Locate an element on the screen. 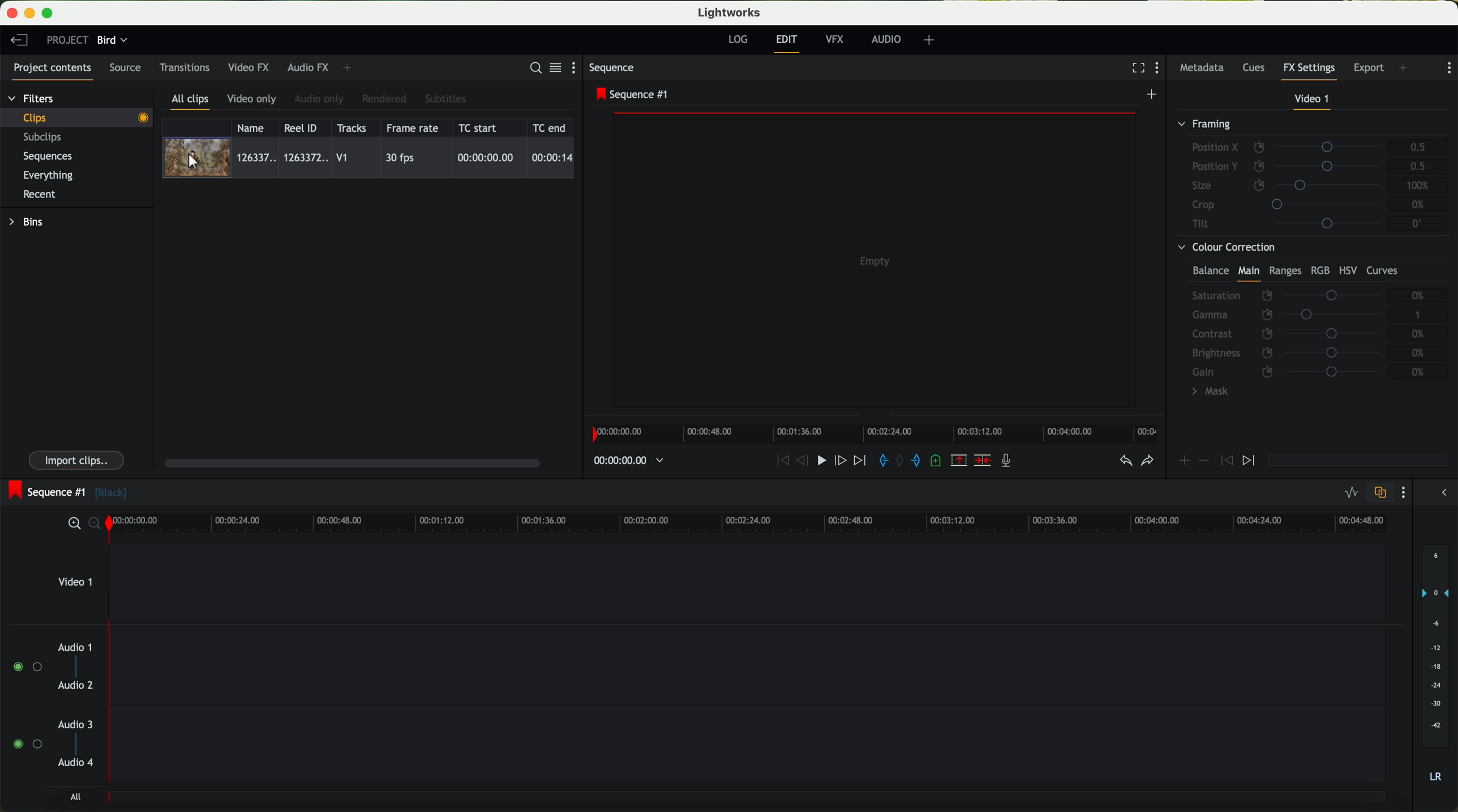 The width and height of the screenshot is (1458, 812). project is located at coordinates (67, 40).